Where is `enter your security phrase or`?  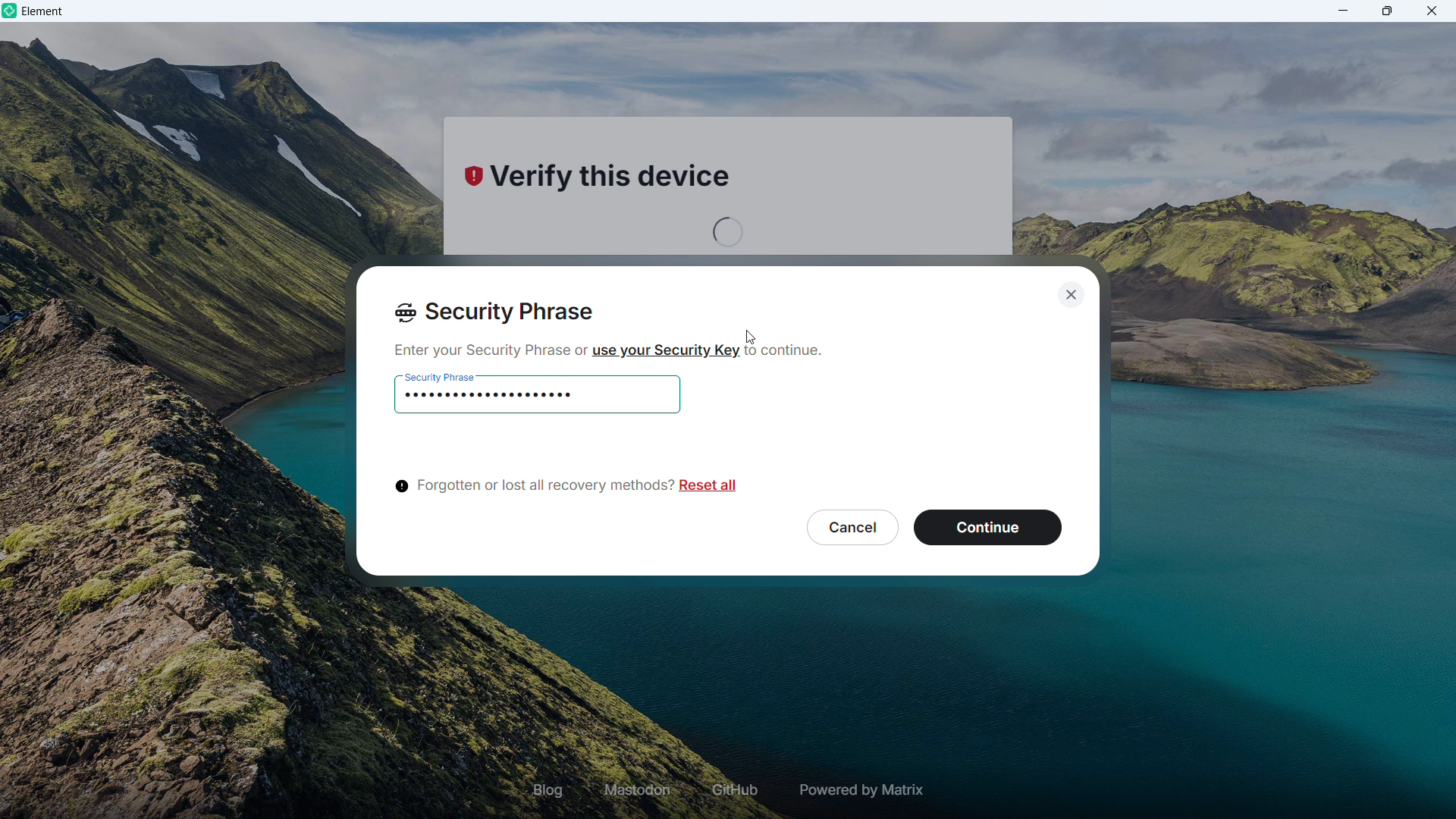
enter your security phrase or is located at coordinates (486, 350).